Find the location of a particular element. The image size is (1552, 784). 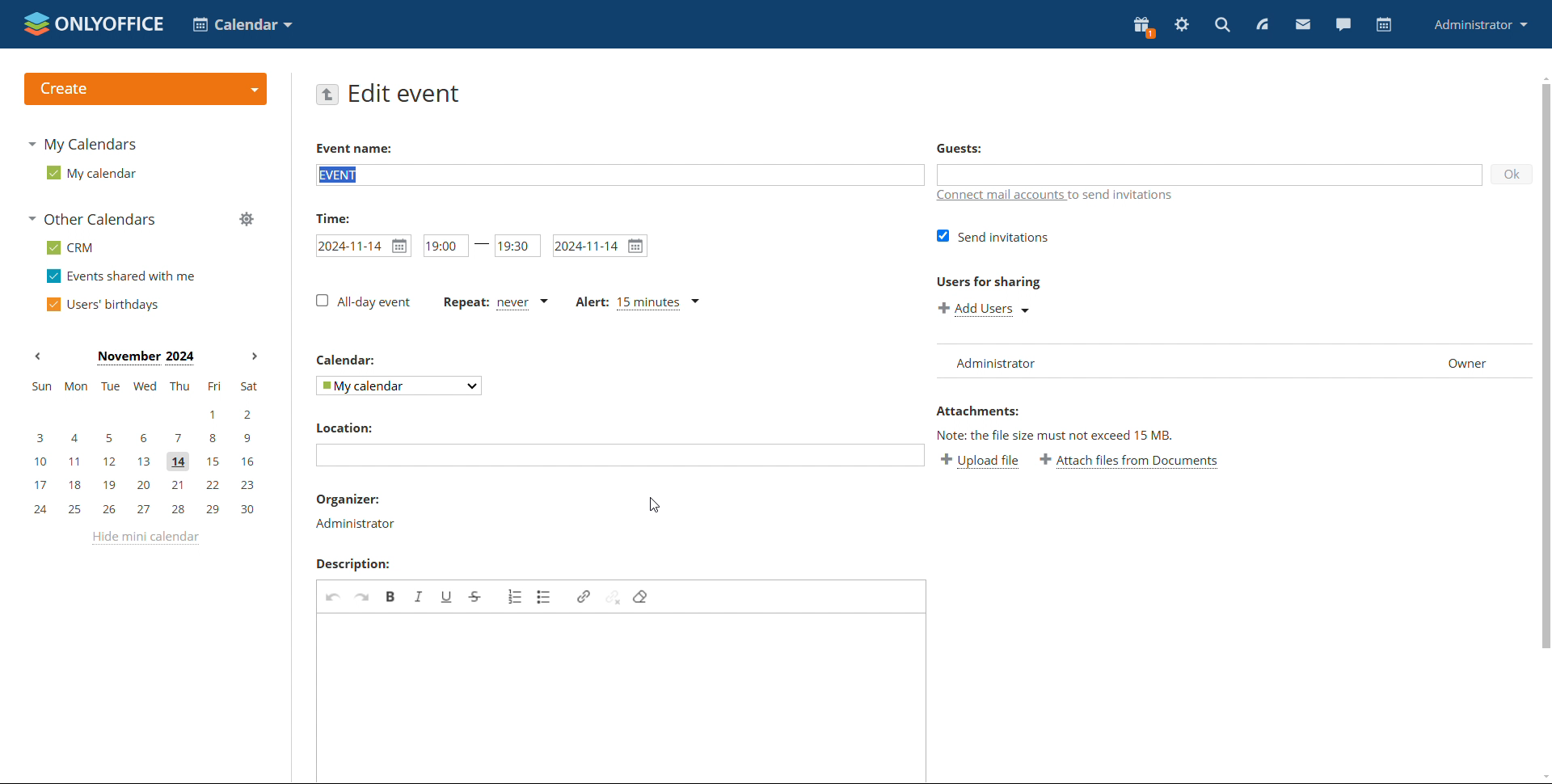

previous month is located at coordinates (37, 356).